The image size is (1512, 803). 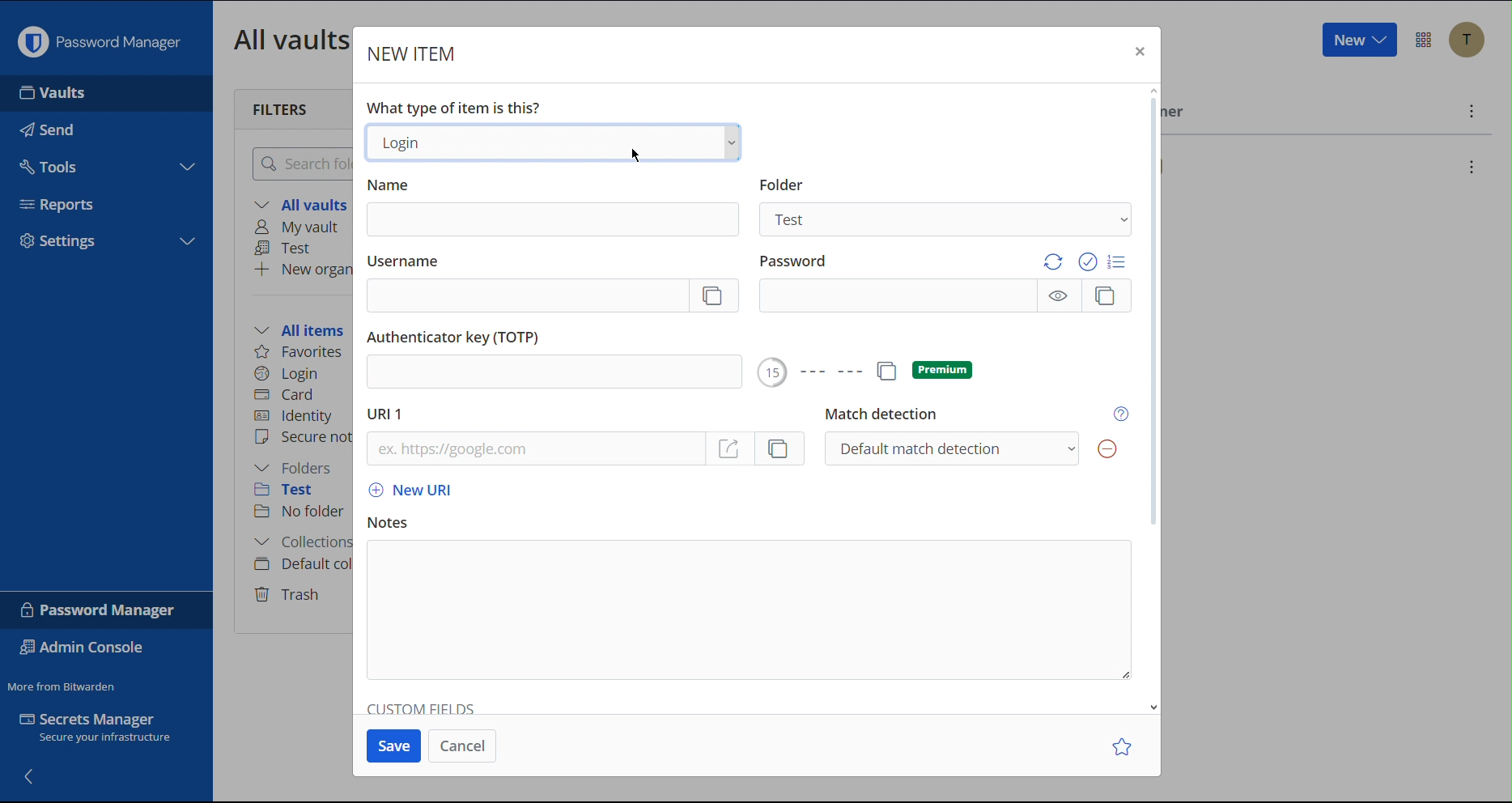 What do you see at coordinates (781, 185) in the screenshot?
I see `Folder` at bounding box center [781, 185].